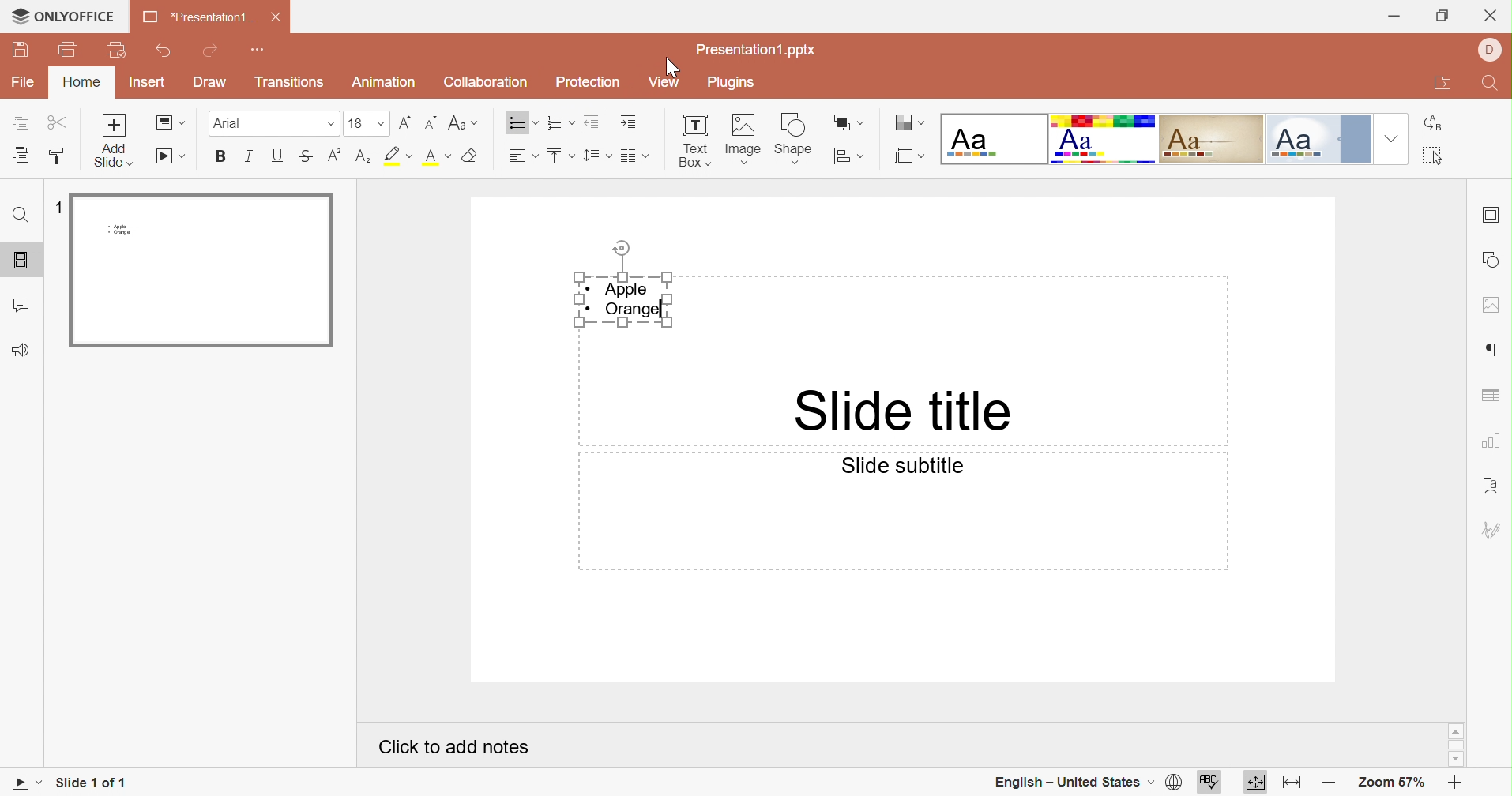 This screenshot has width=1512, height=796. I want to click on shape settings, so click(1491, 258).